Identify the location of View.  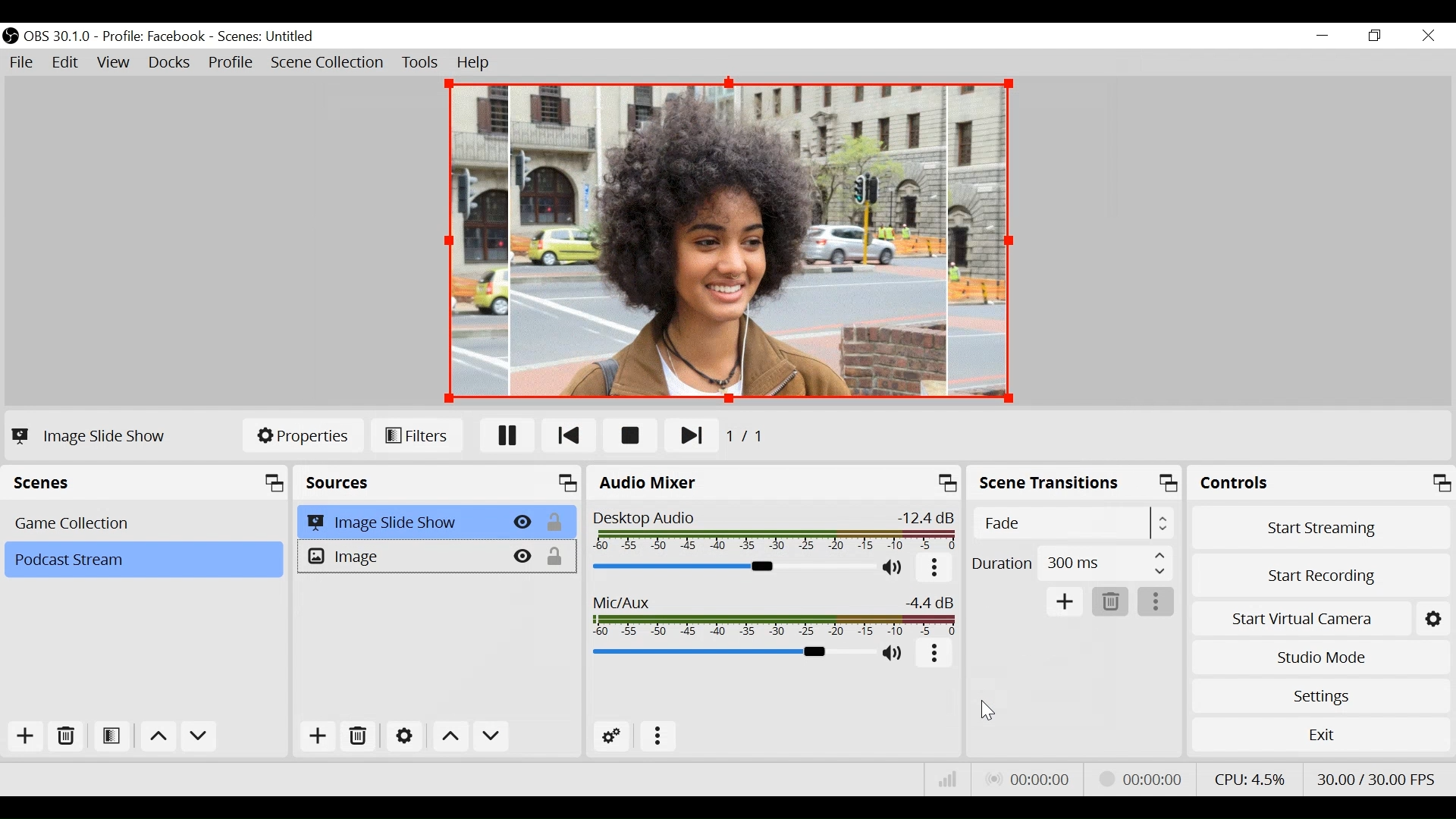
(116, 64).